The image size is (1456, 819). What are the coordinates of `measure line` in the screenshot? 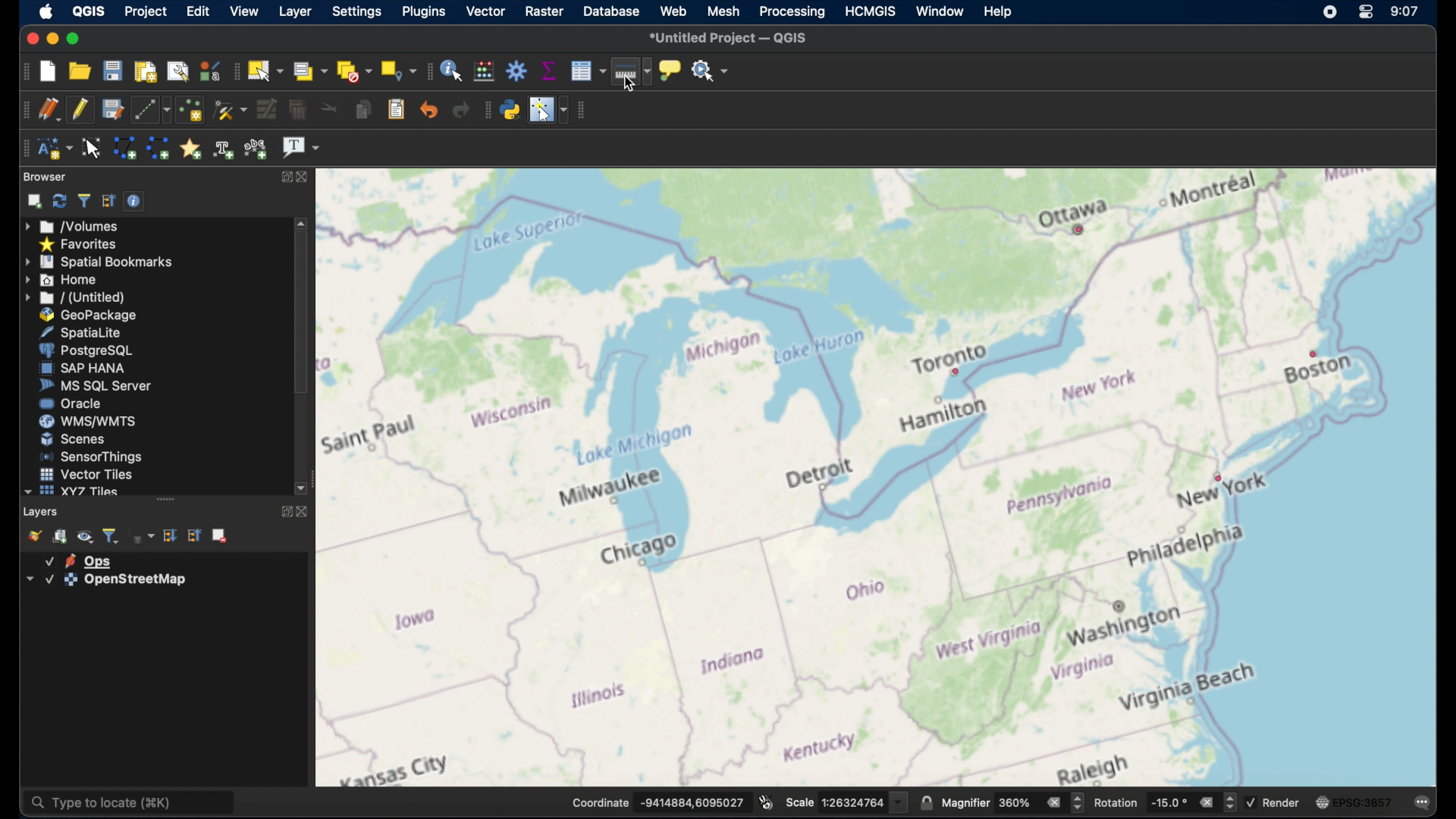 It's located at (632, 74).